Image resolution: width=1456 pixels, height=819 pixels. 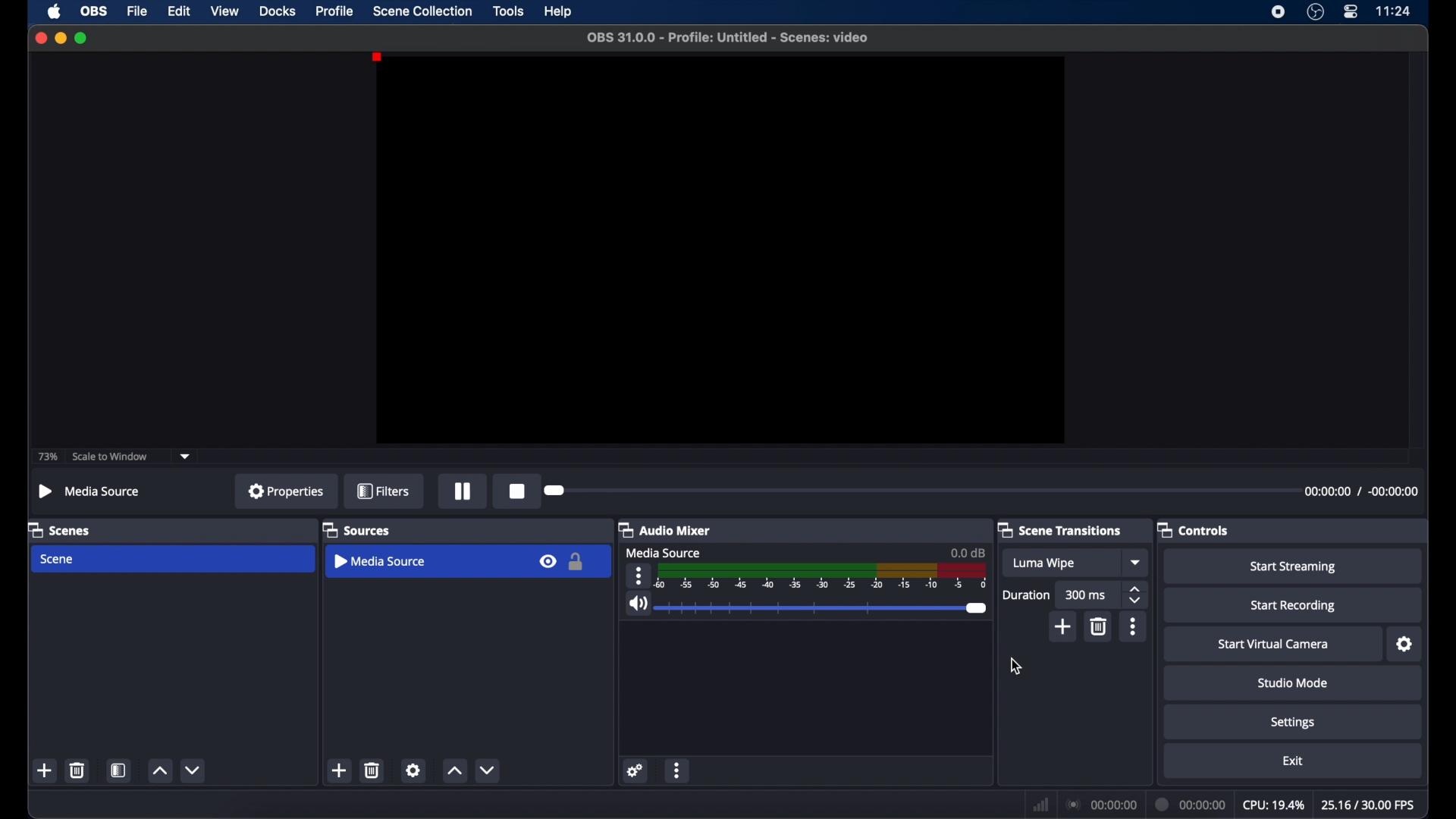 What do you see at coordinates (372, 770) in the screenshot?
I see `delete` at bounding box center [372, 770].